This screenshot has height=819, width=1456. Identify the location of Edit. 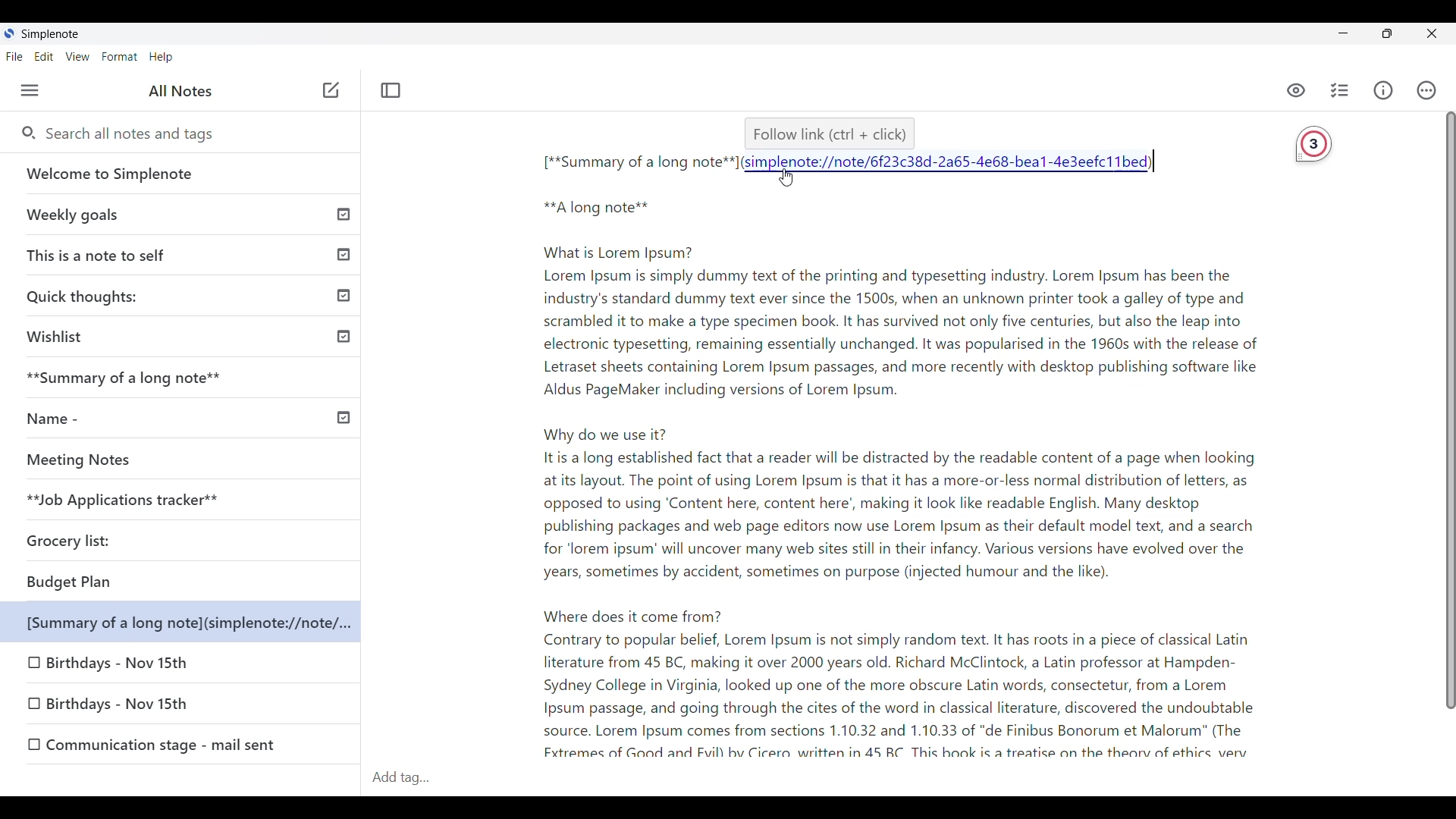
(44, 57).